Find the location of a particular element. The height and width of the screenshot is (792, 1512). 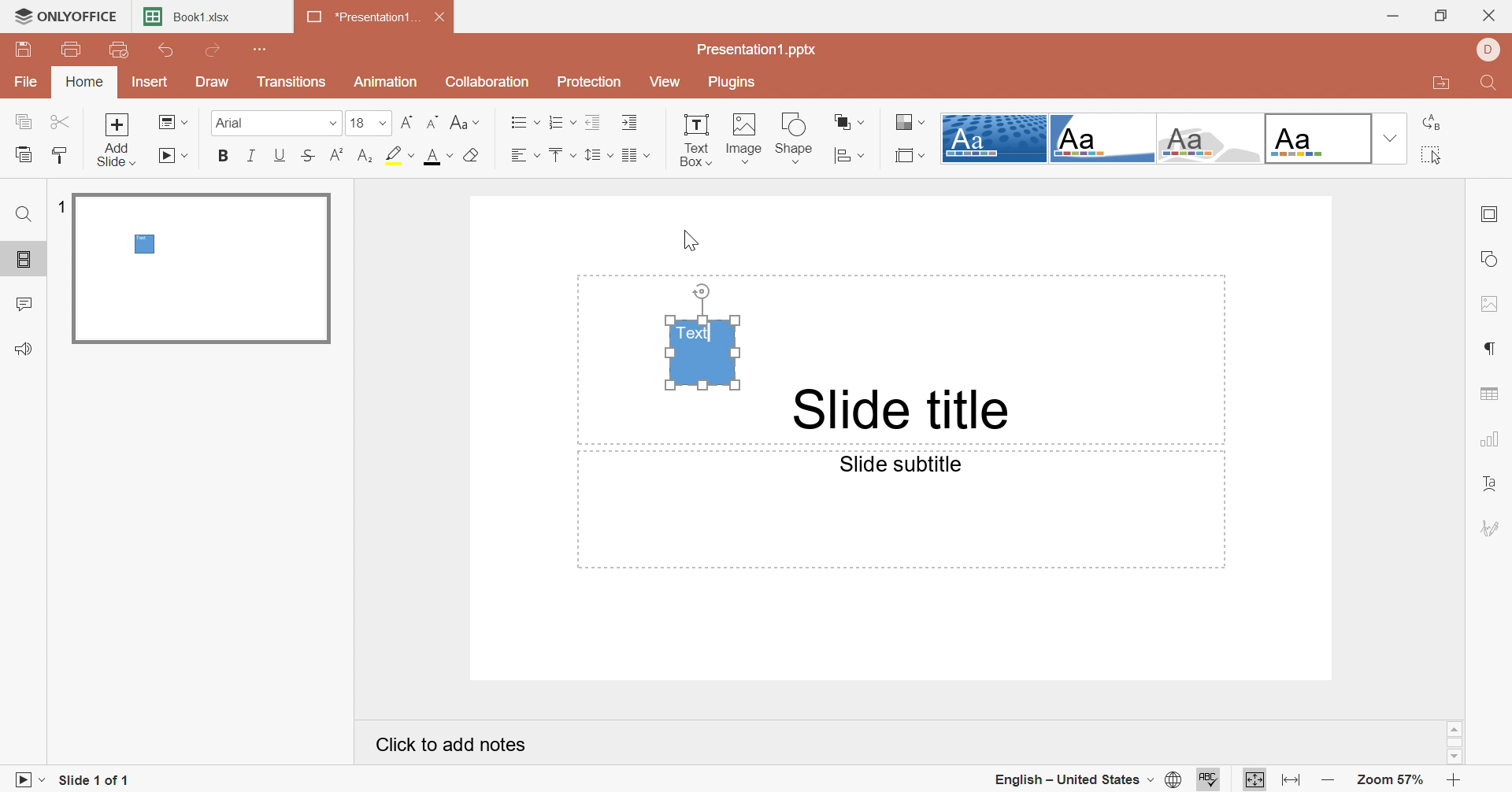

Zoom in is located at coordinates (1459, 779).